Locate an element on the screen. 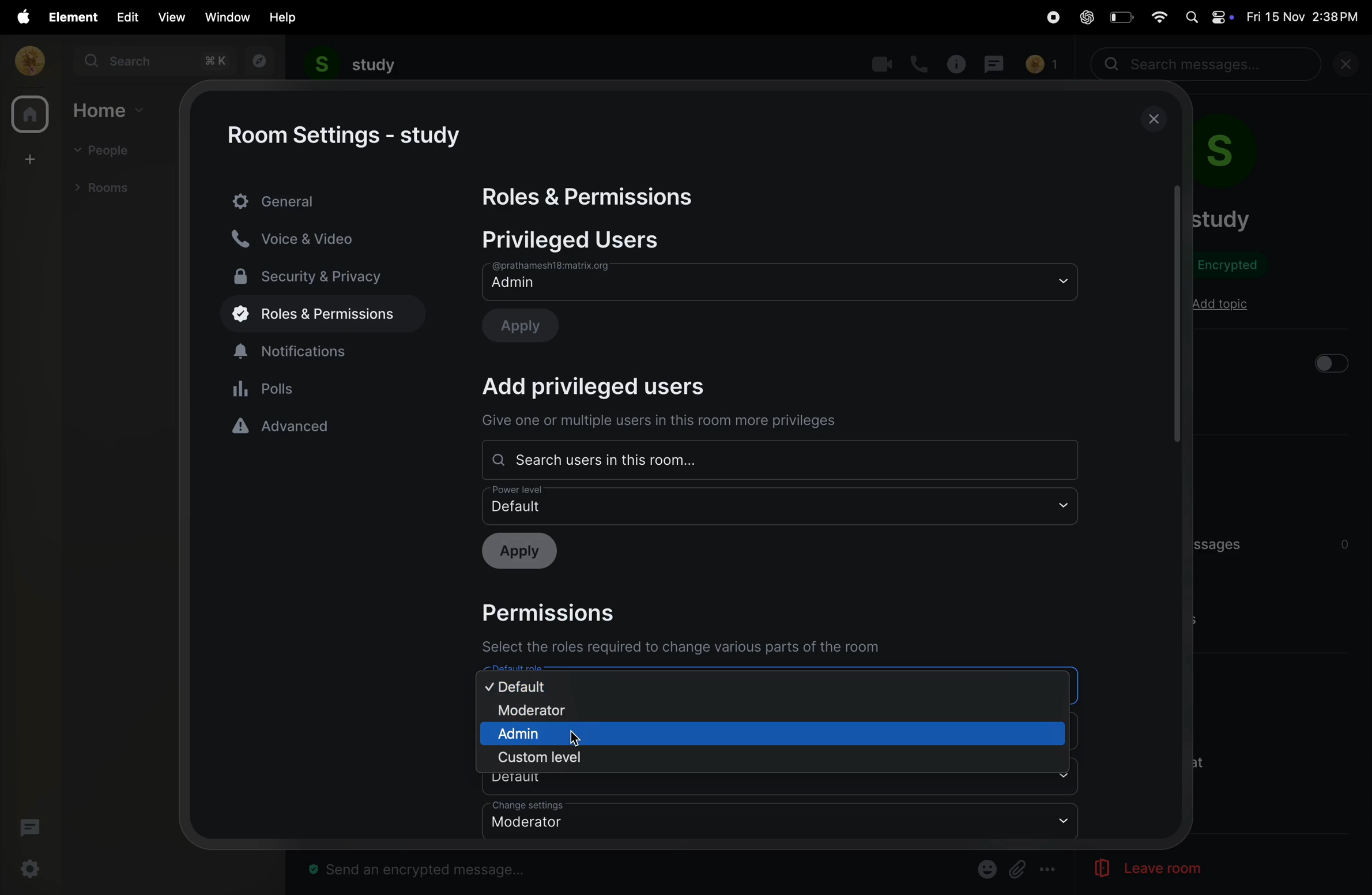  Admin is located at coordinates (780, 281).